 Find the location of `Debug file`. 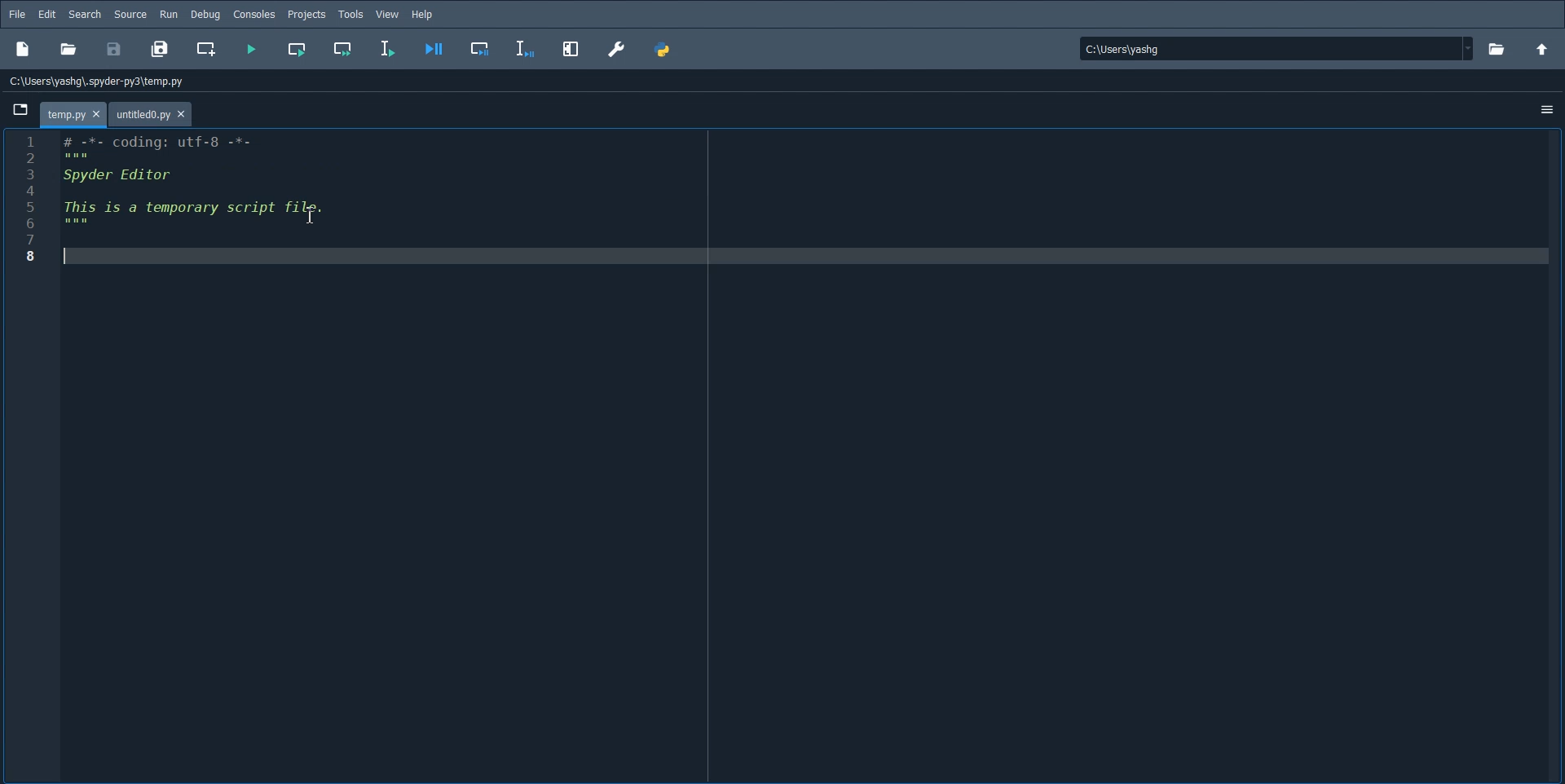

Debug file is located at coordinates (433, 51).